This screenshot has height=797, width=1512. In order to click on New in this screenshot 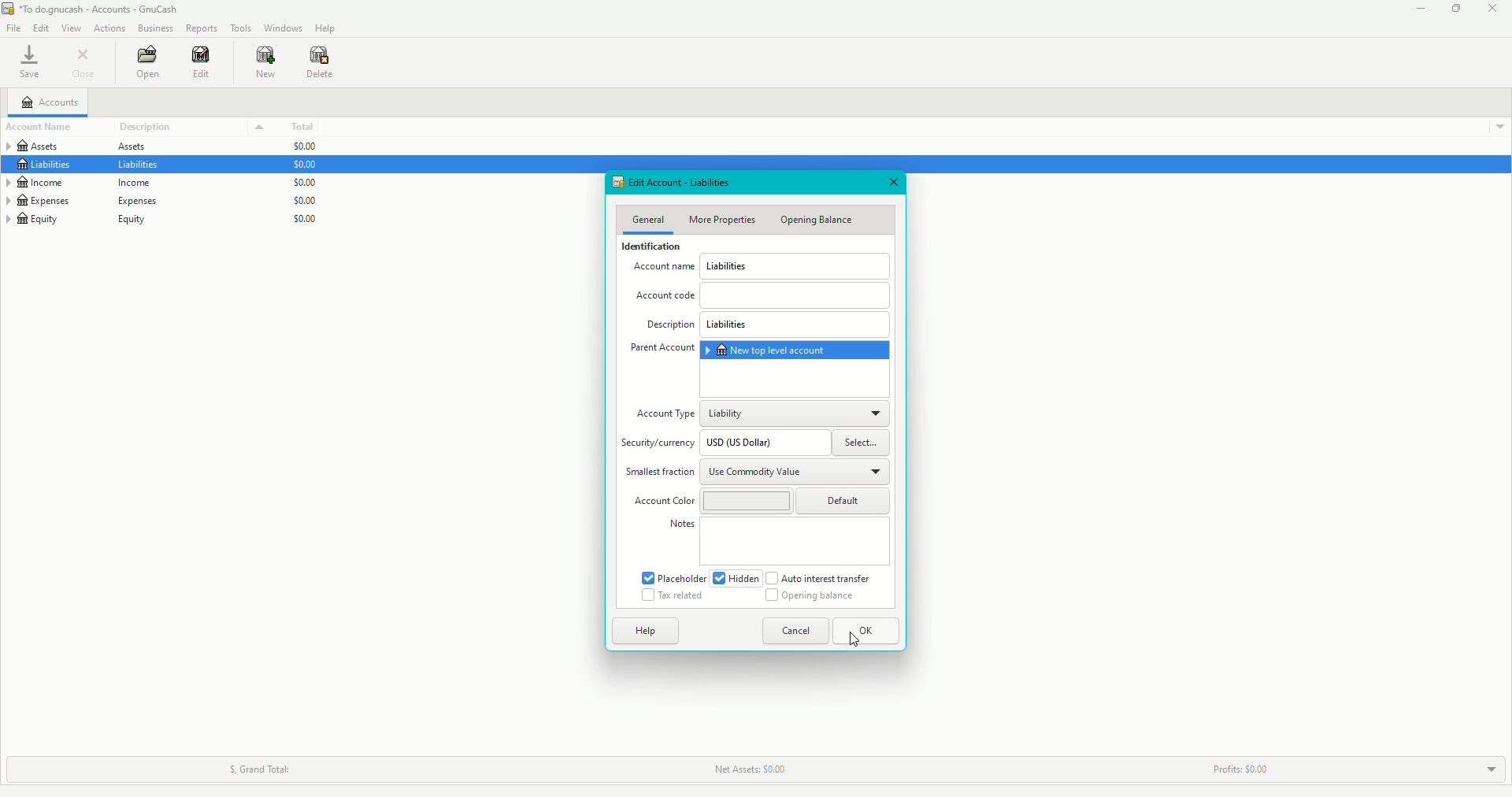, I will do `click(263, 64)`.